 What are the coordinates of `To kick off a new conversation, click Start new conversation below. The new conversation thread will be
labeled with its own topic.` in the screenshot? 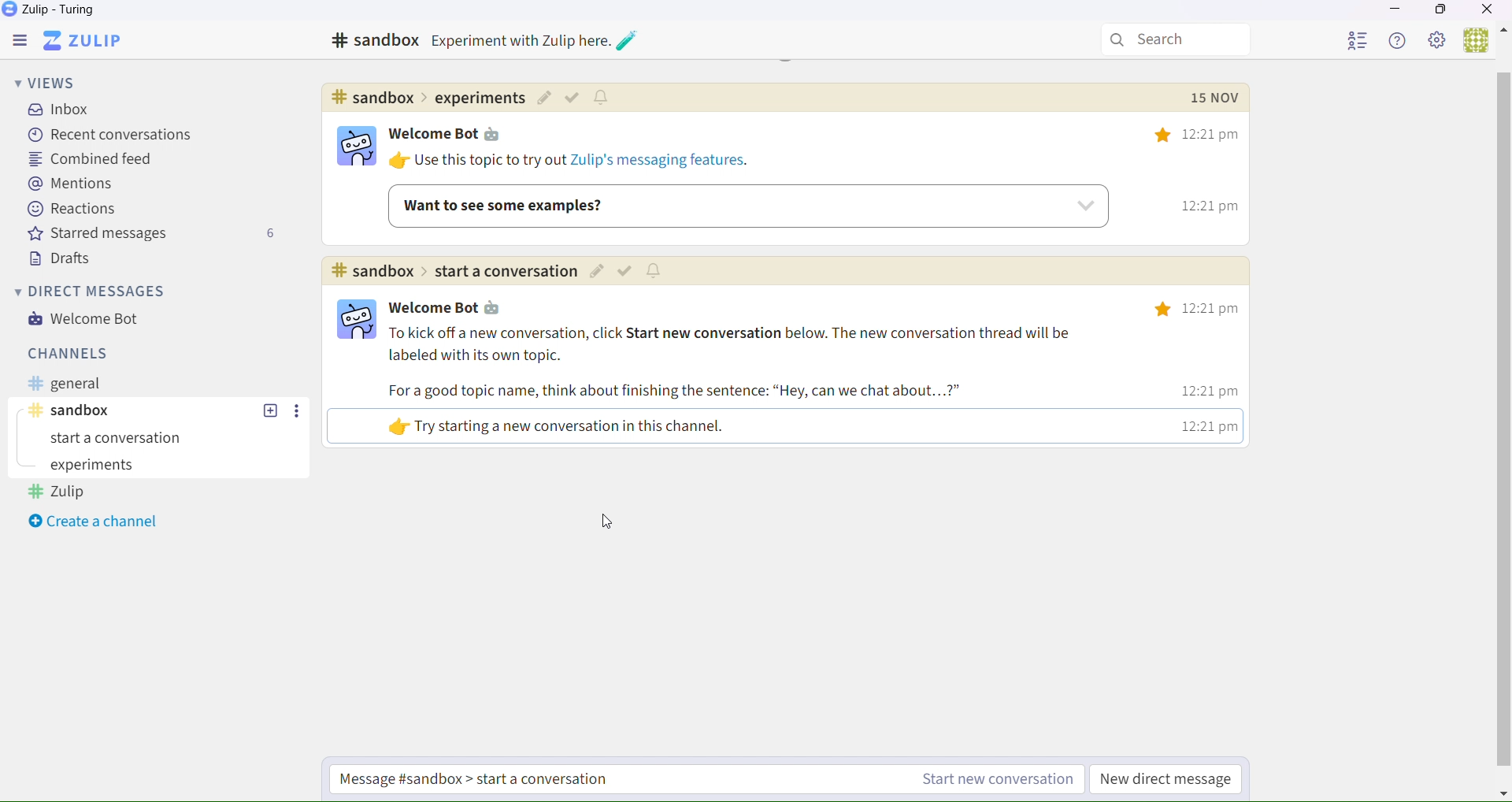 It's located at (742, 344).